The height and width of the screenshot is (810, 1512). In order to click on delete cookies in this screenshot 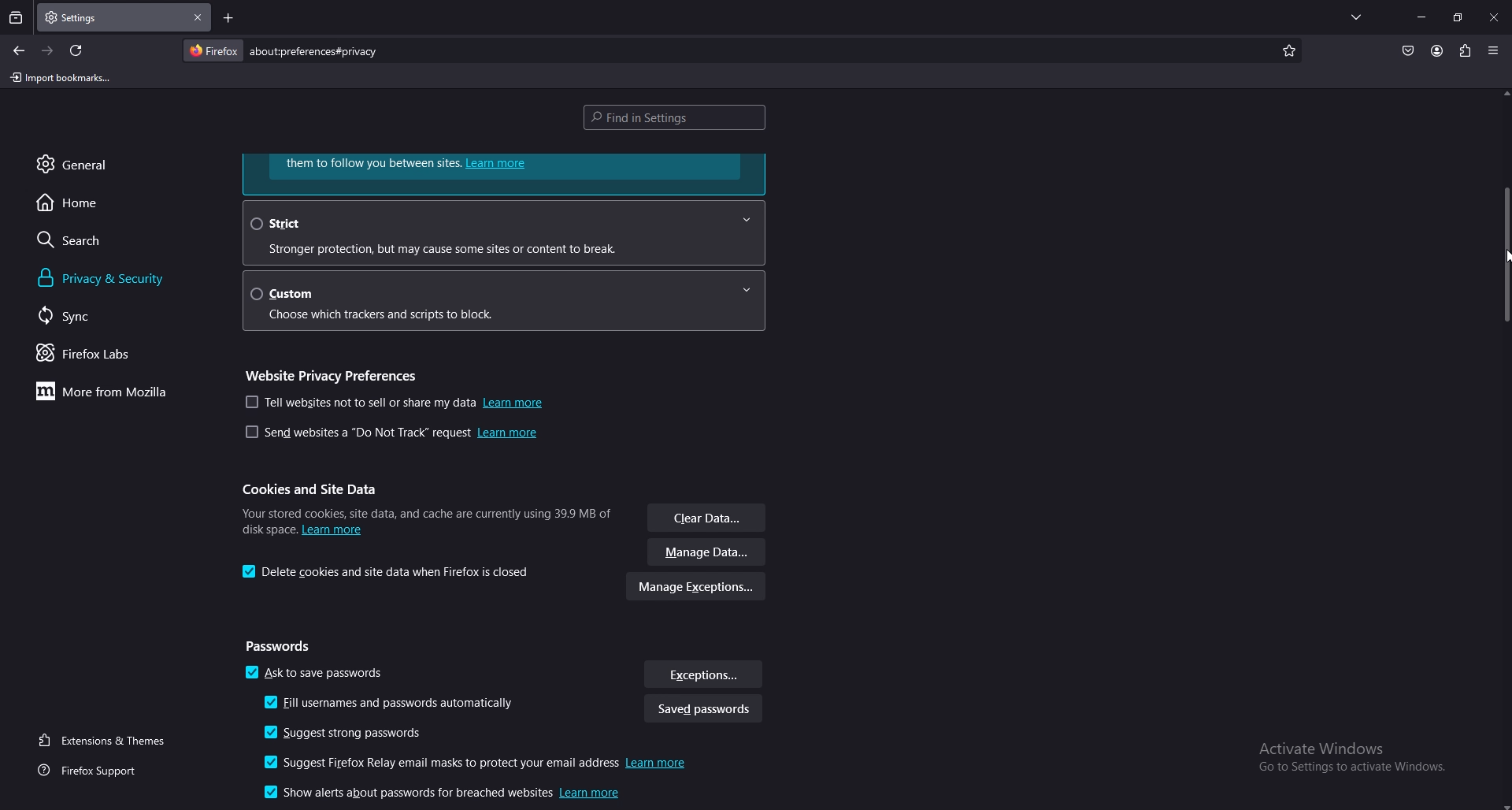, I will do `click(390, 572)`.